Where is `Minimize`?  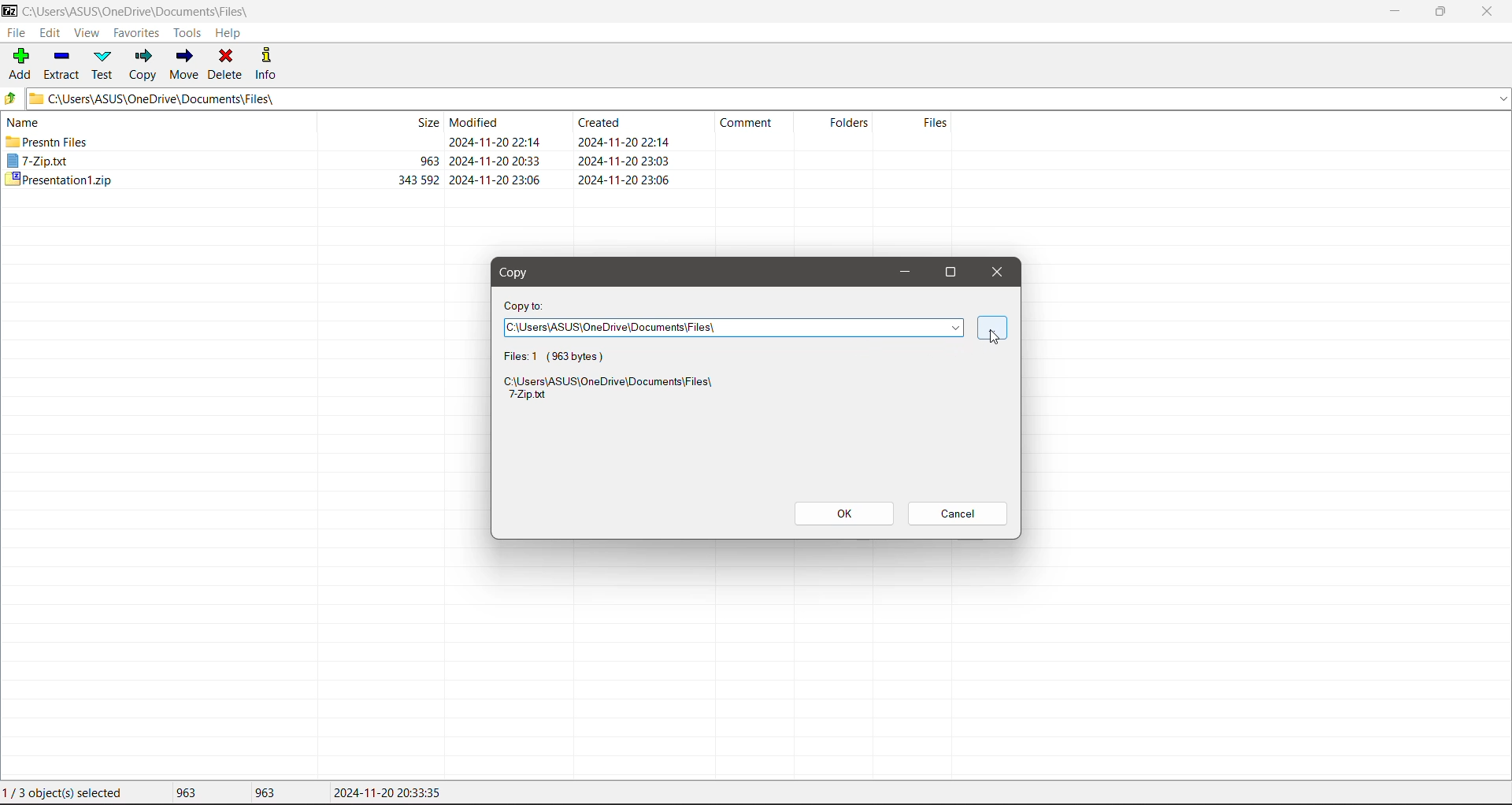
Minimize is located at coordinates (901, 272).